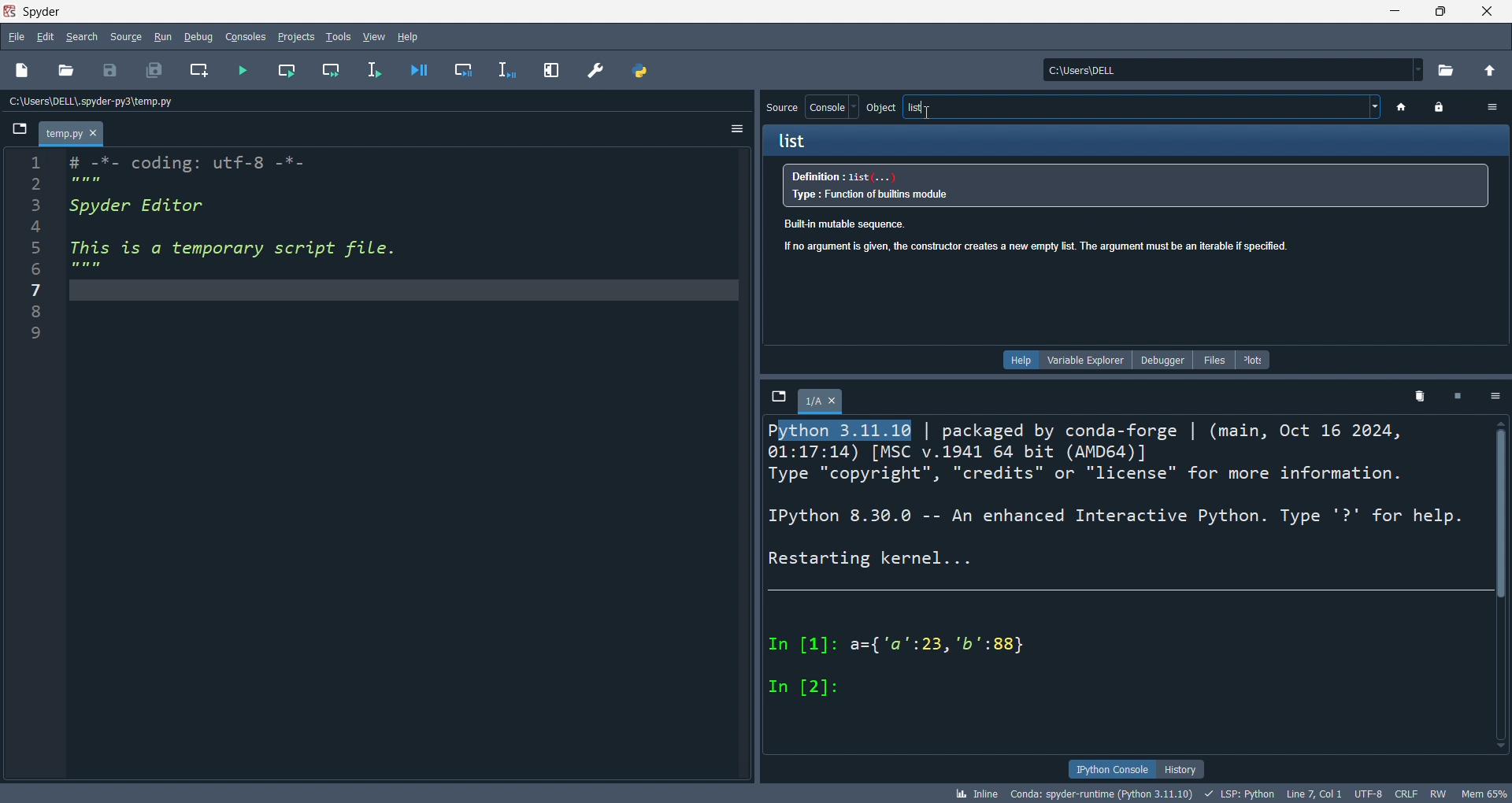 This screenshot has width=1512, height=803. Describe the element at coordinates (198, 68) in the screenshot. I see `new cel` at that location.